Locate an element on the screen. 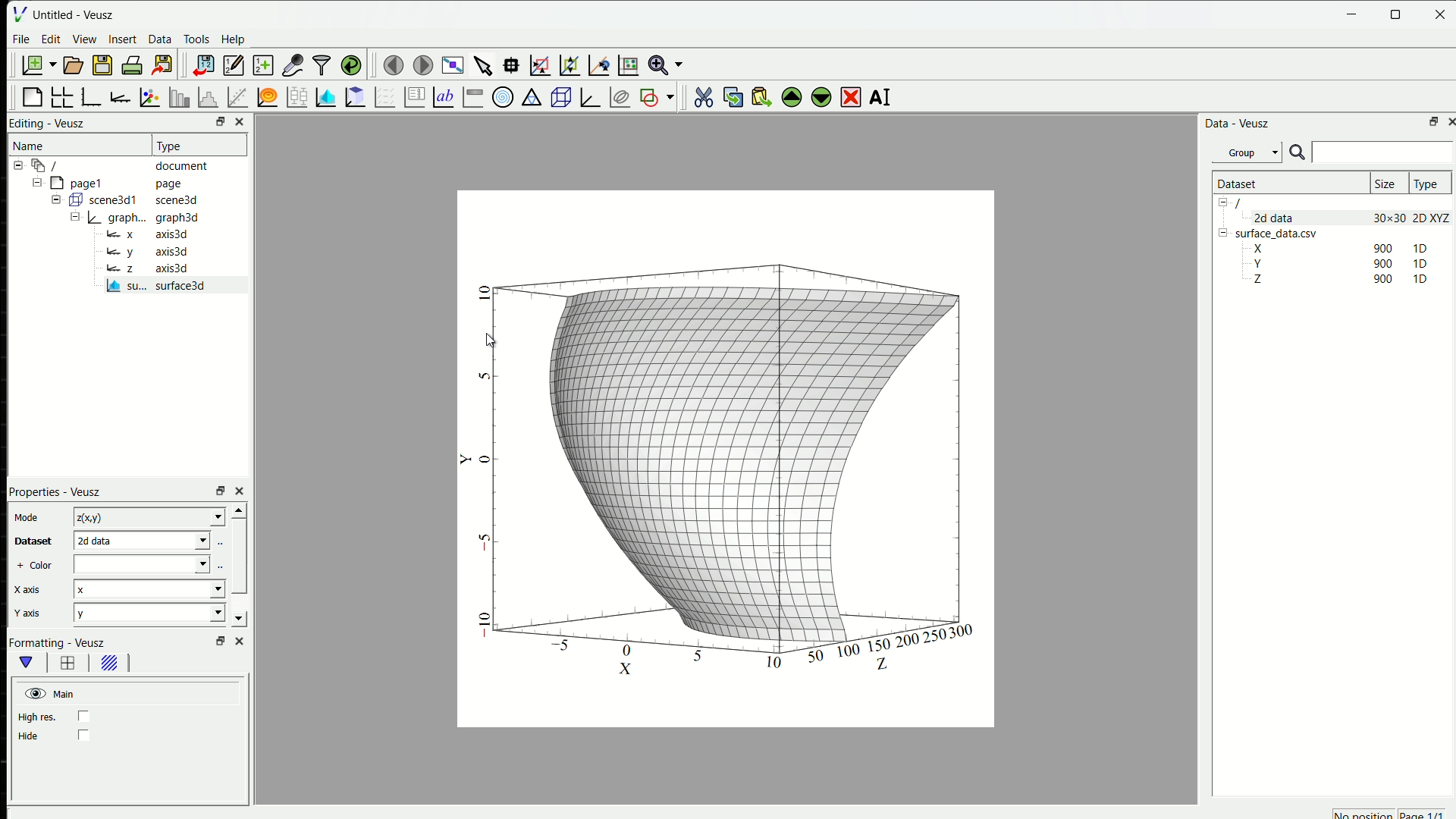 Image resolution: width=1456 pixels, height=819 pixels. open in separate window is located at coordinates (221, 640).